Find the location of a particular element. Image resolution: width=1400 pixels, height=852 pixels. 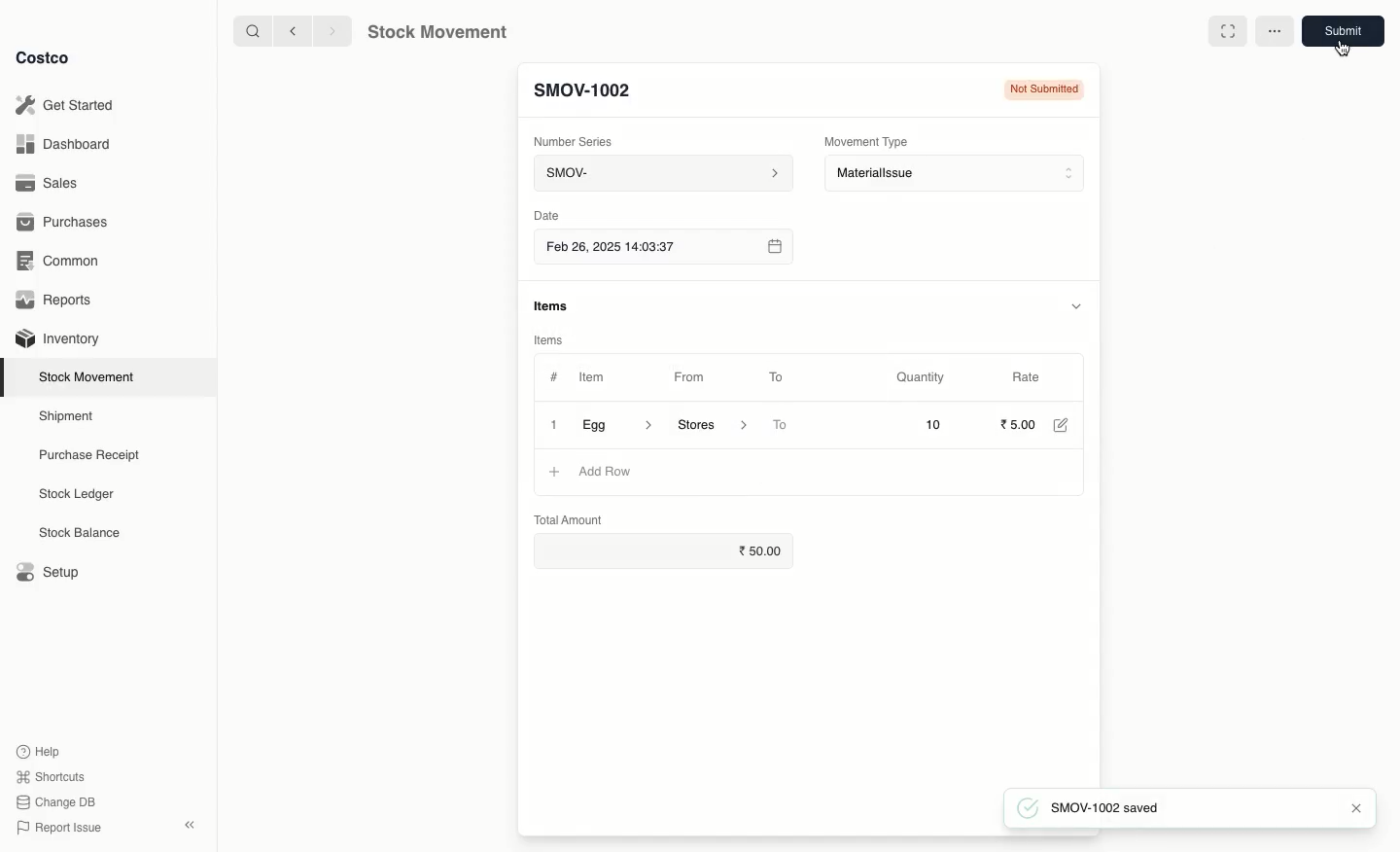

Report Issue is located at coordinates (61, 828).